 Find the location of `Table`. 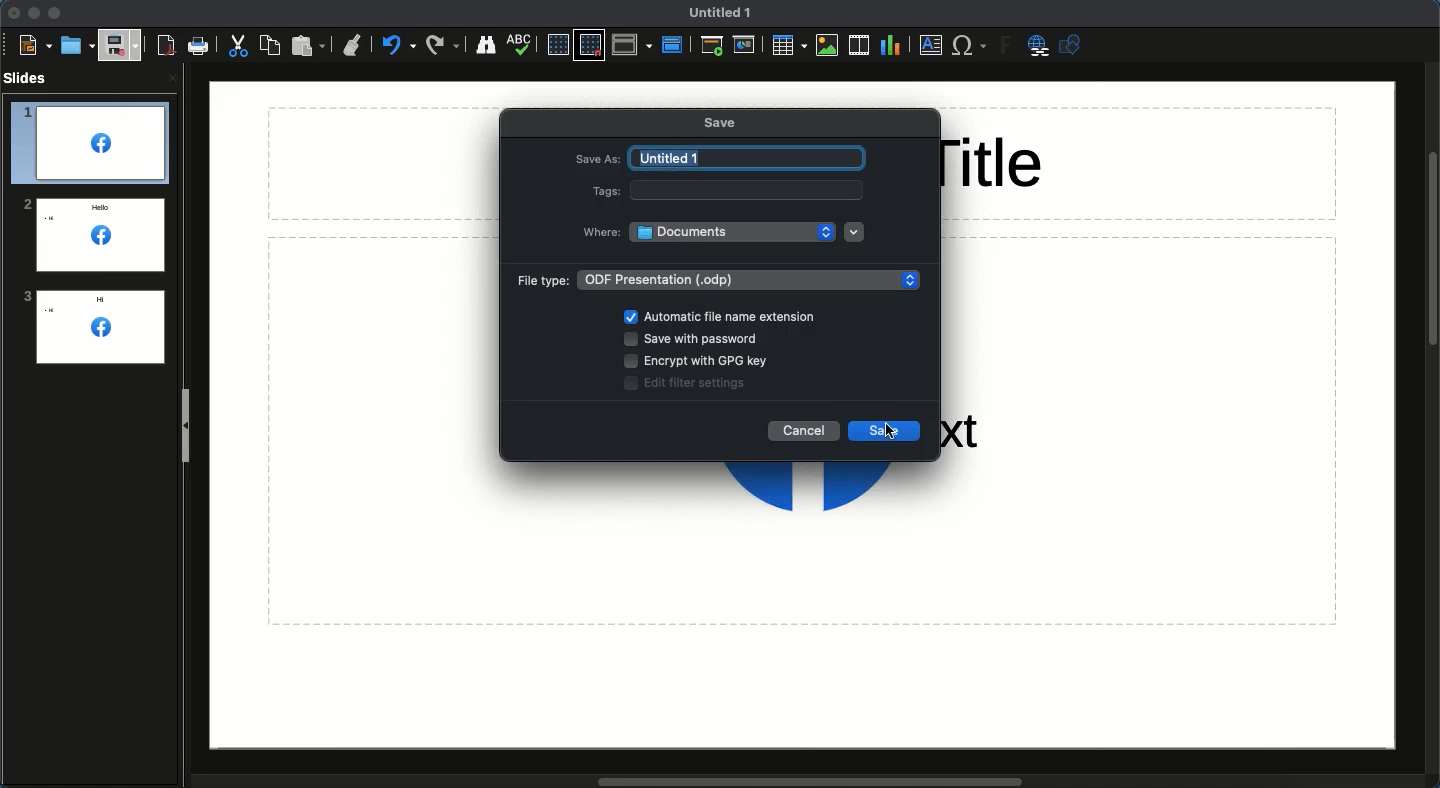

Table is located at coordinates (789, 46).